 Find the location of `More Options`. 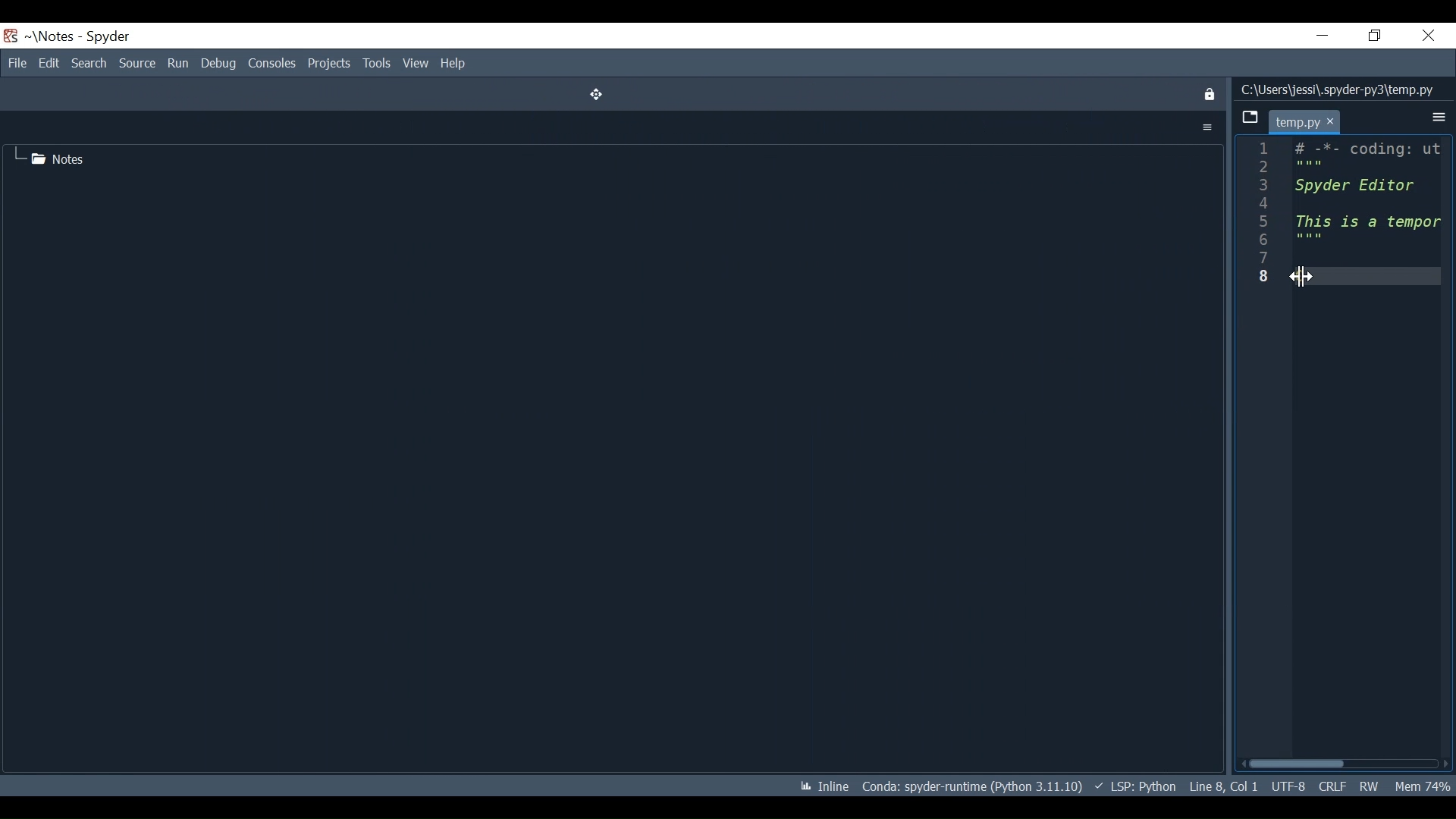

More Options is located at coordinates (1207, 127).